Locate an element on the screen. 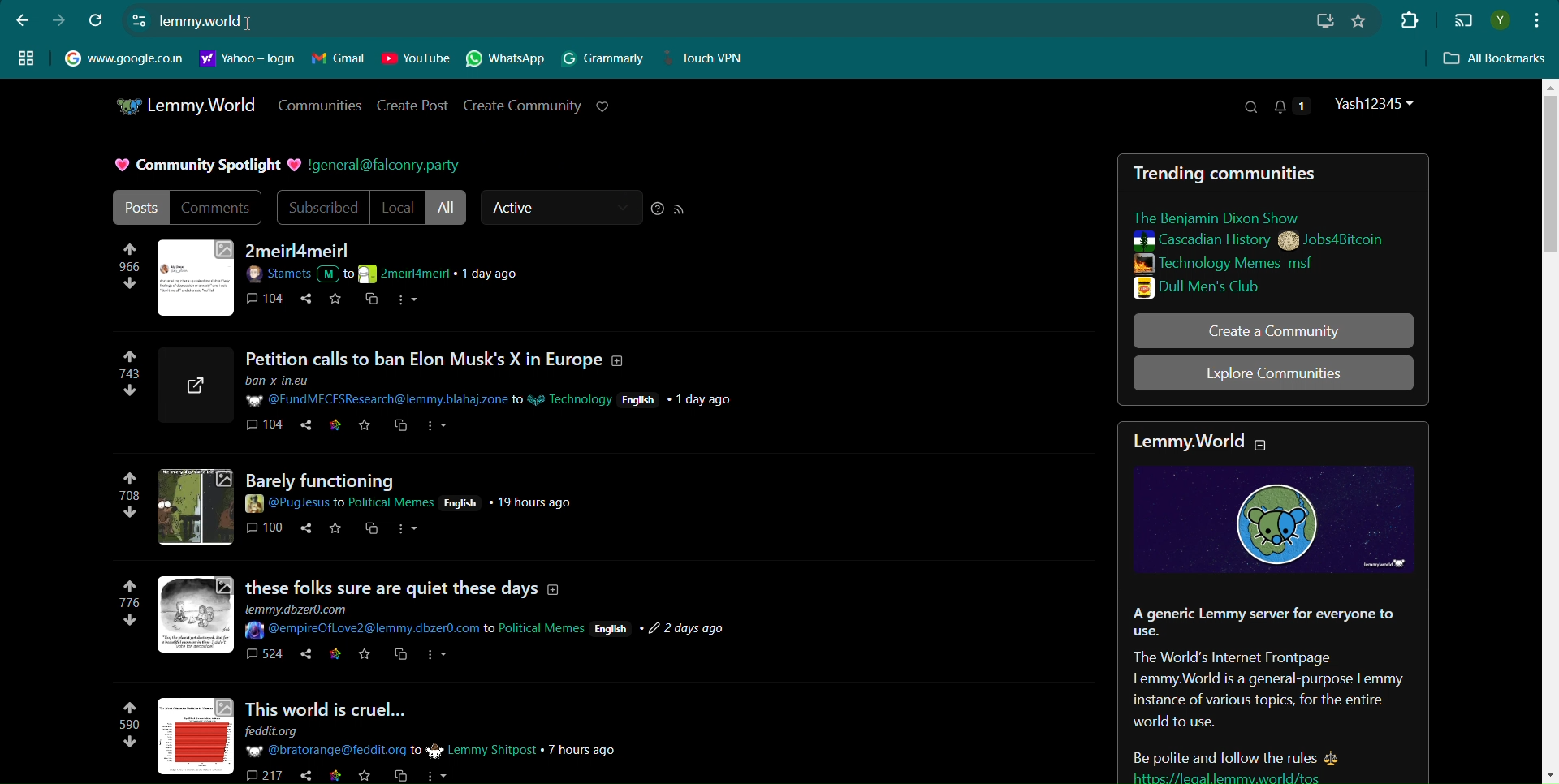 The image size is (1559, 784). Cursor is located at coordinates (257, 22).